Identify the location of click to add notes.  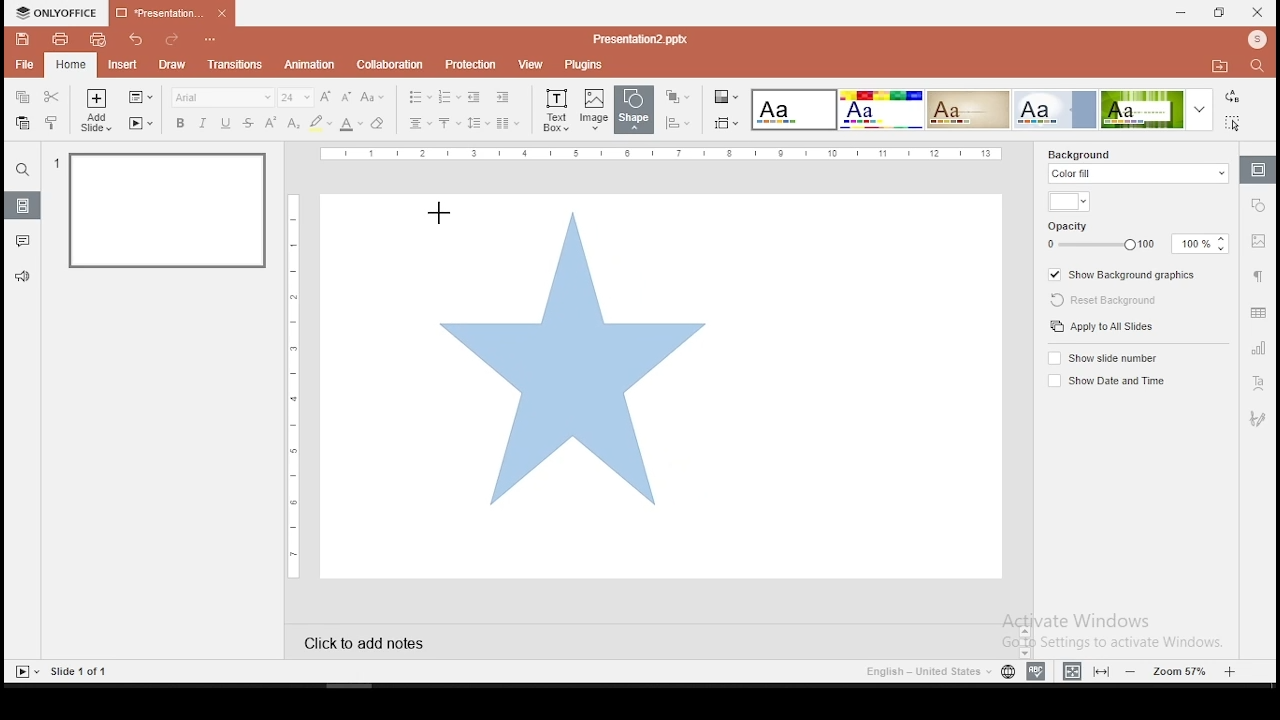
(382, 641).